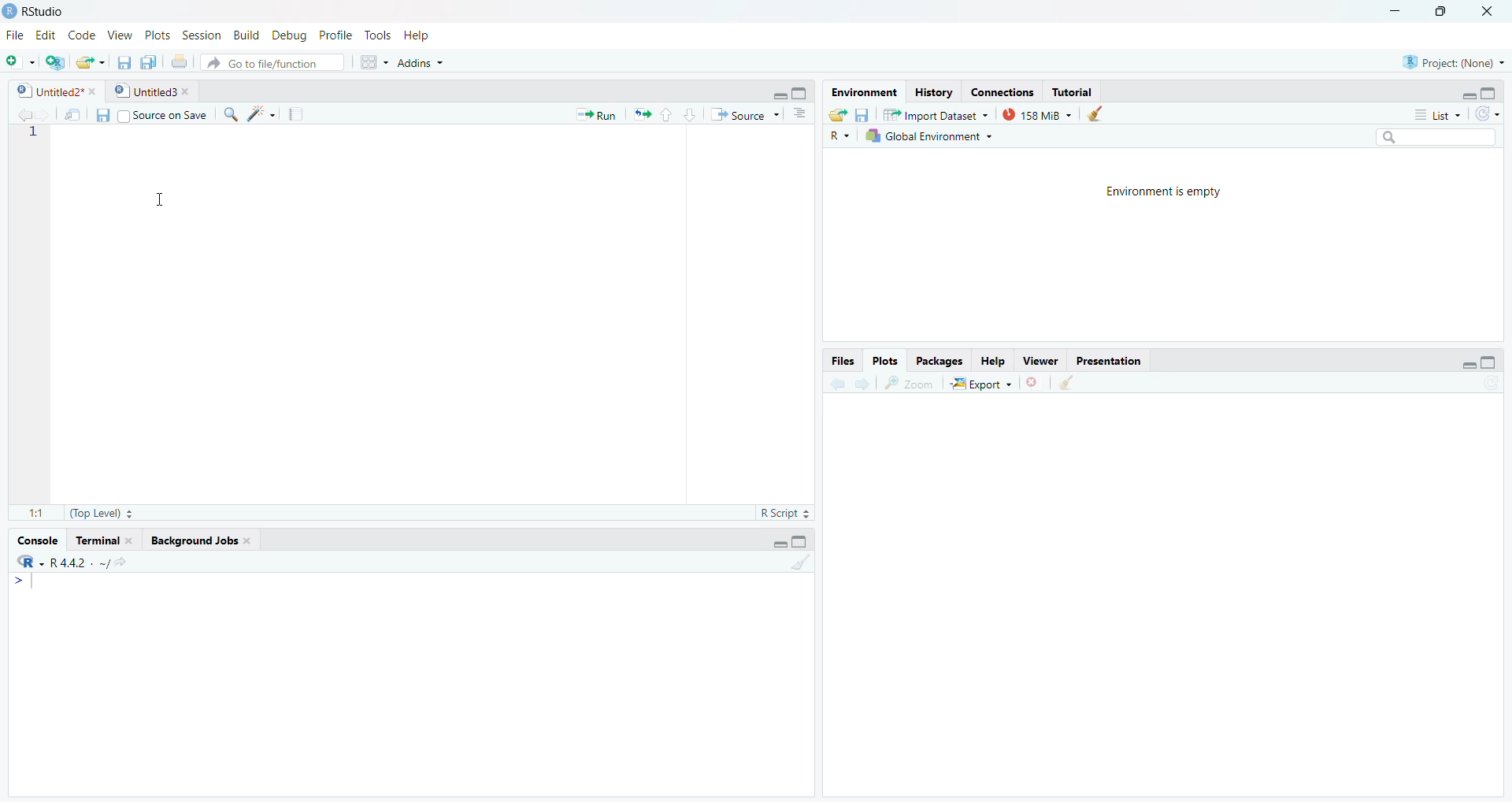 The image size is (1512, 802). Describe the element at coordinates (840, 360) in the screenshot. I see `Files` at that location.